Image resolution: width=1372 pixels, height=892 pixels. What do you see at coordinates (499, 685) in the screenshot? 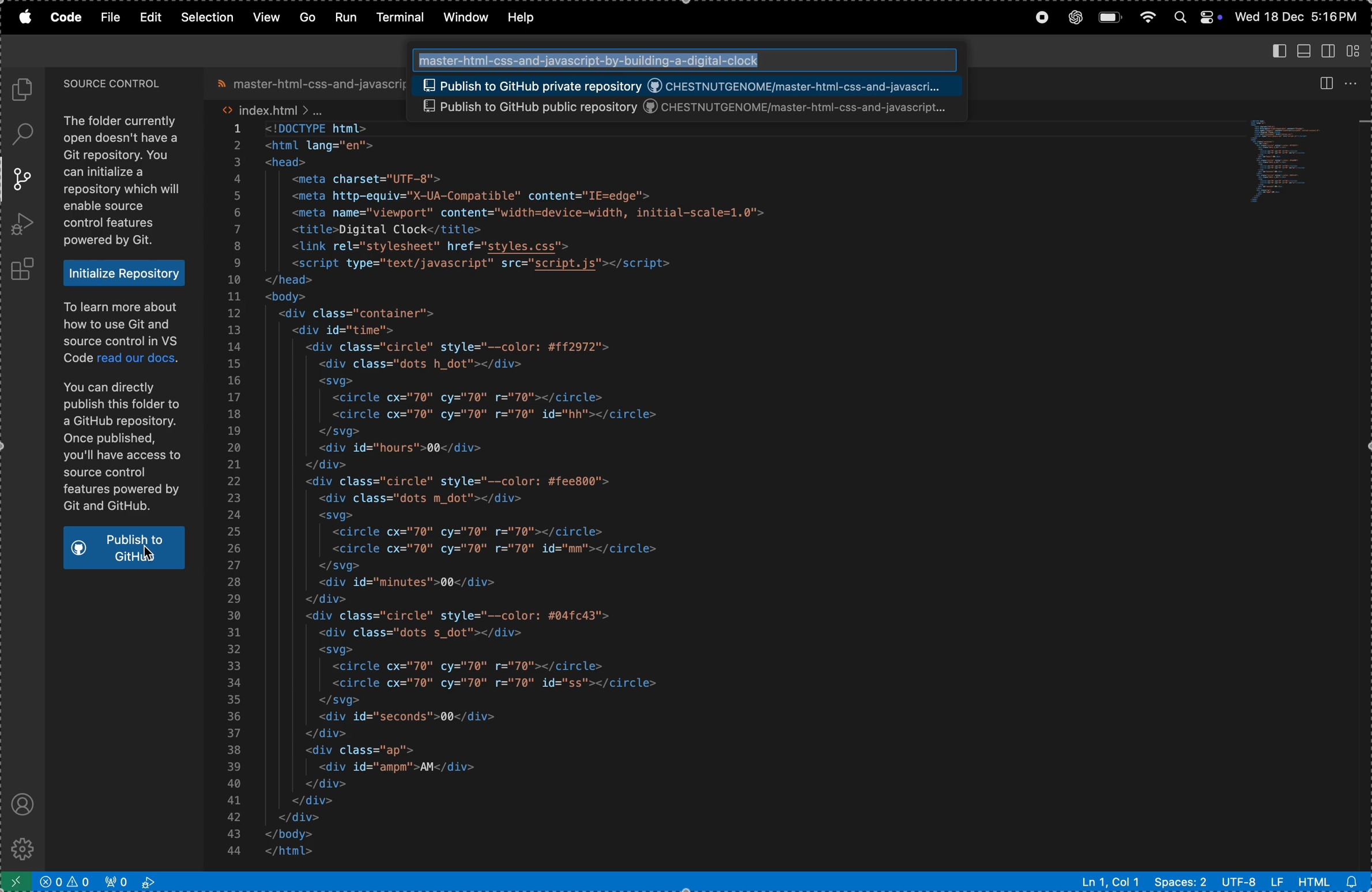
I see `<circle cx="70" cy="70" r="70" id="ss"></circle>` at bounding box center [499, 685].